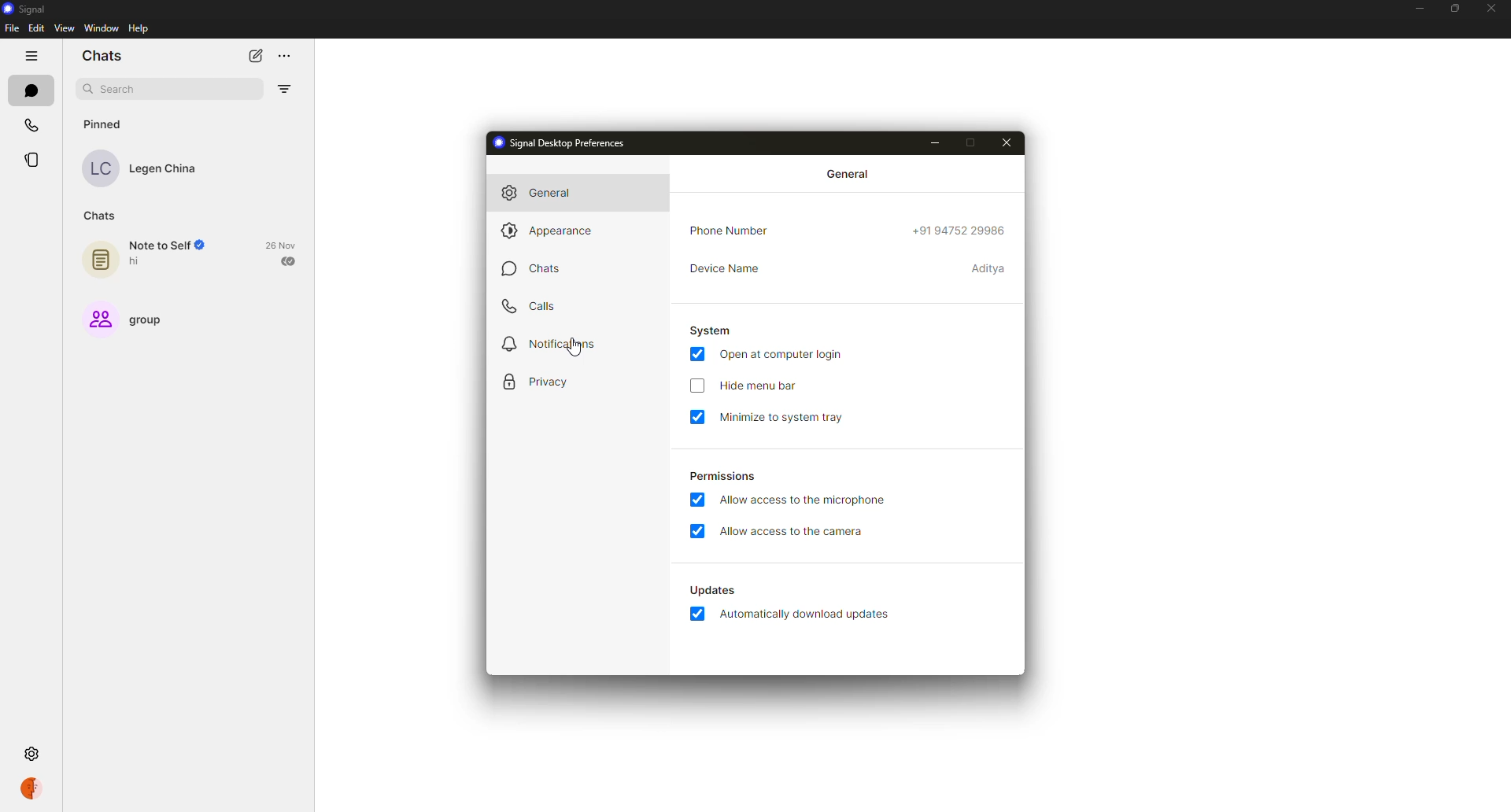 The width and height of the screenshot is (1511, 812). I want to click on close, so click(1492, 9).